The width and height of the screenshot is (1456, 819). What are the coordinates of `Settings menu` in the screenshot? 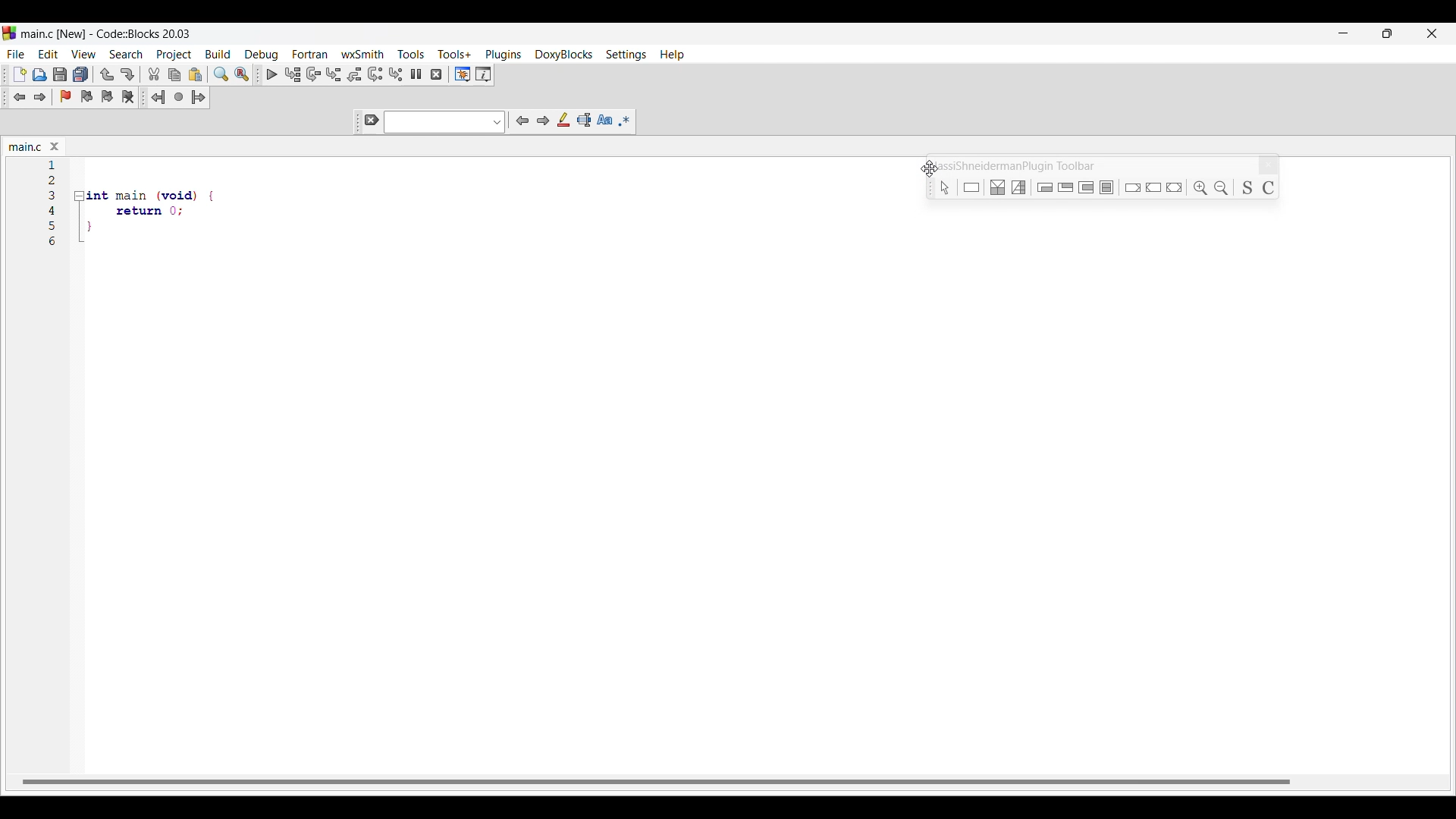 It's located at (626, 55).